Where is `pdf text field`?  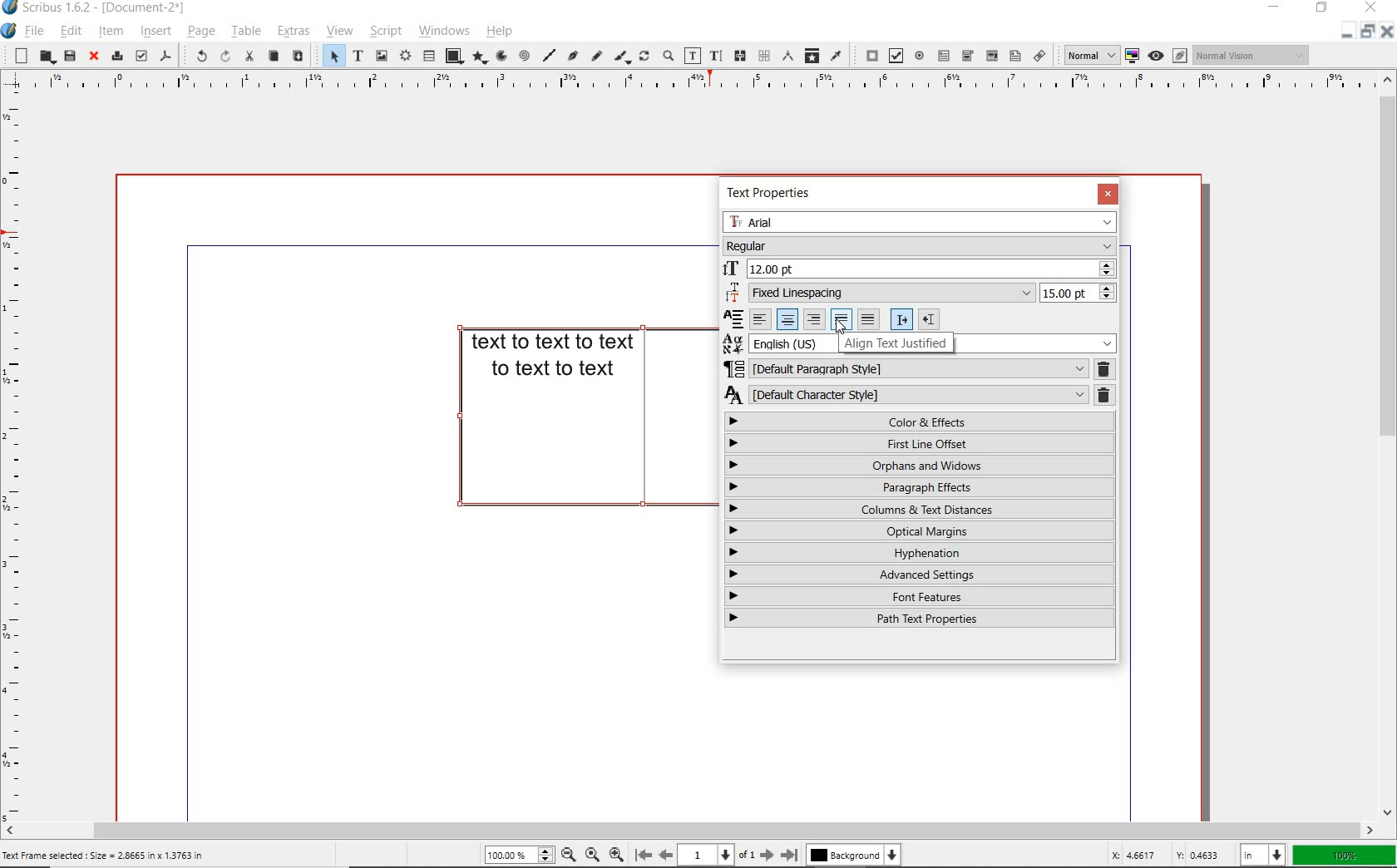 pdf text field is located at coordinates (944, 56).